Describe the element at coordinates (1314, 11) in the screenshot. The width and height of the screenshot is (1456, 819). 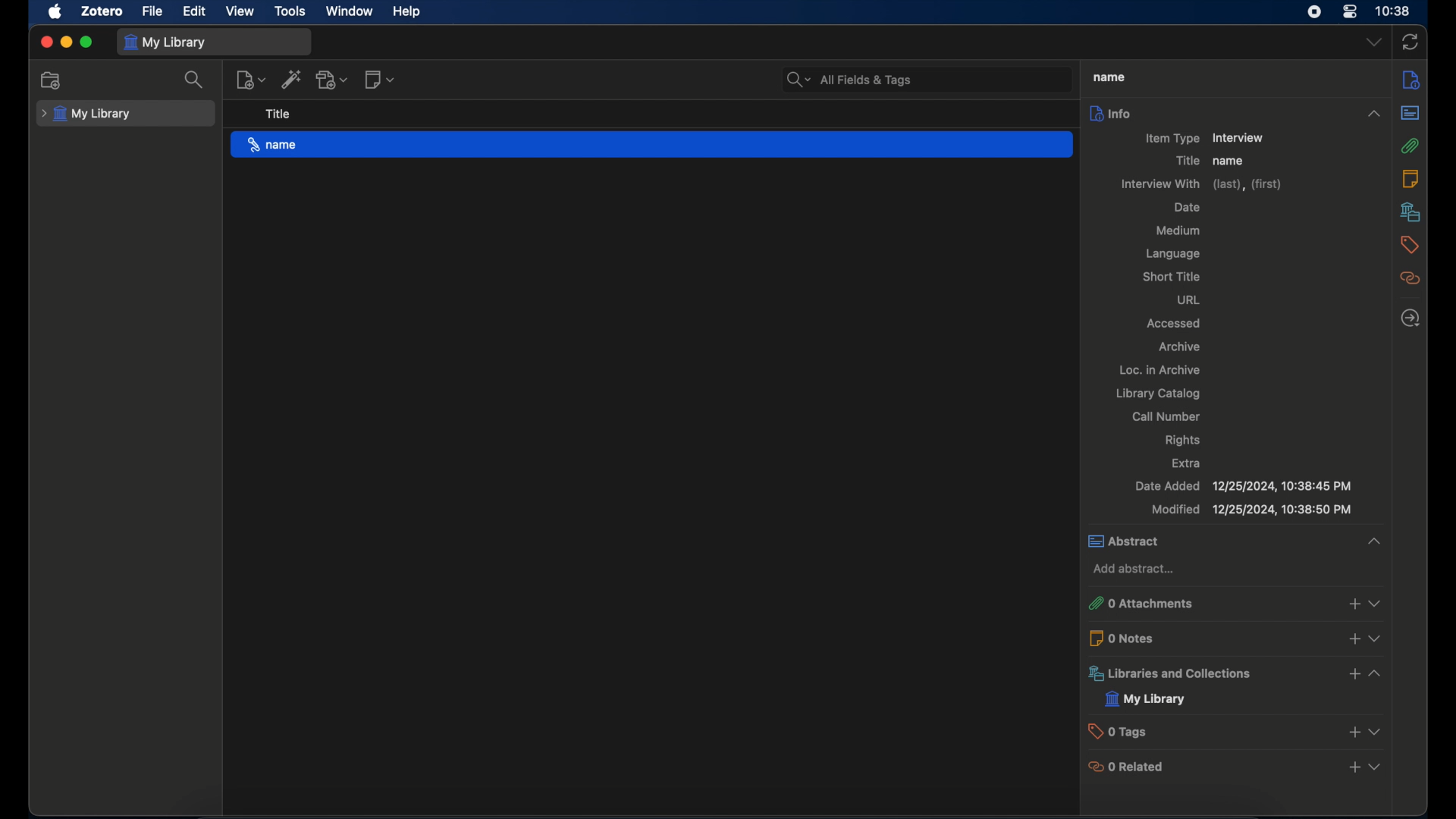
I see `screen recorder` at that location.